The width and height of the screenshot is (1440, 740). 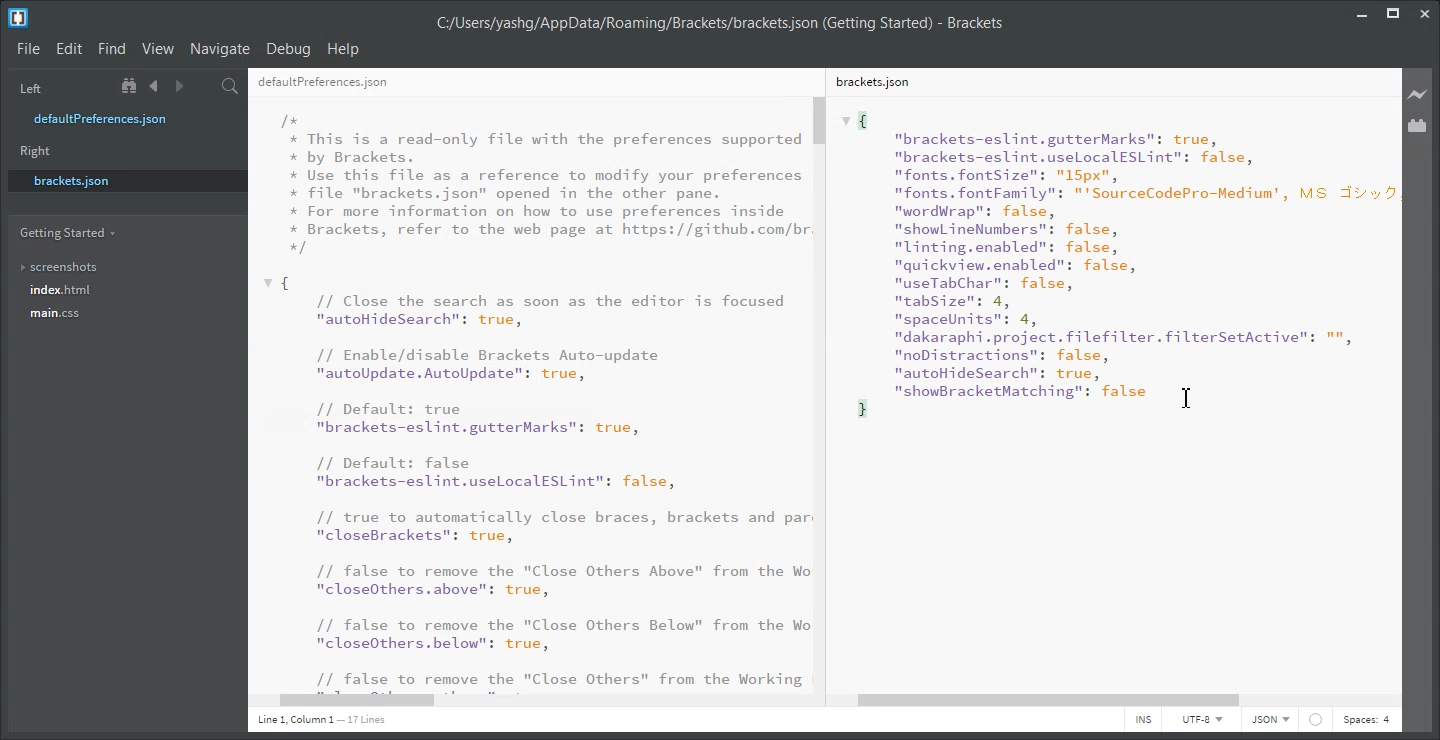 I want to click on main.css, so click(x=58, y=313).